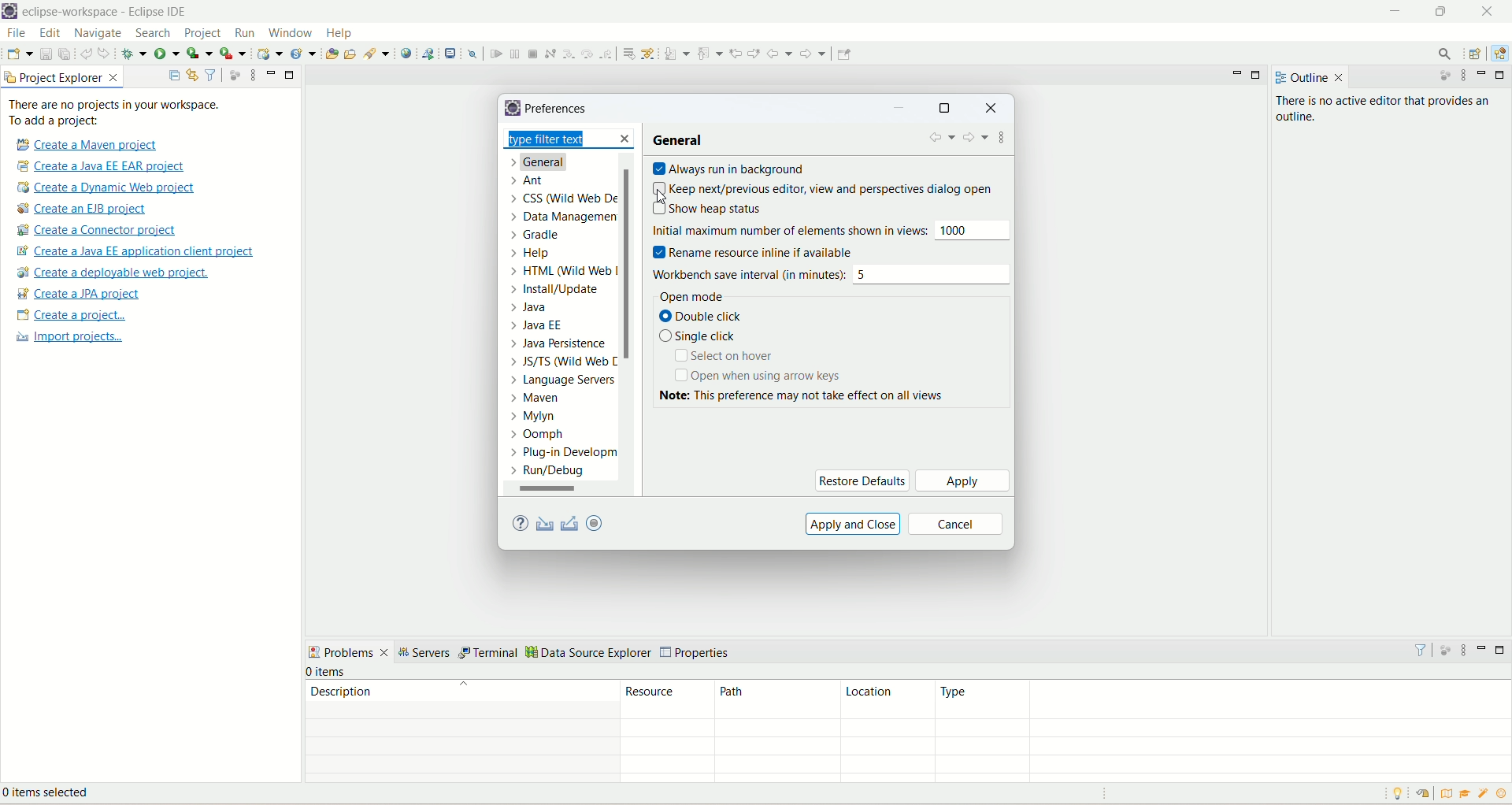 This screenshot has height=805, width=1512. What do you see at coordinates (203, 35) in the screenshot?
I see `project` at bounding box center [203, 35].